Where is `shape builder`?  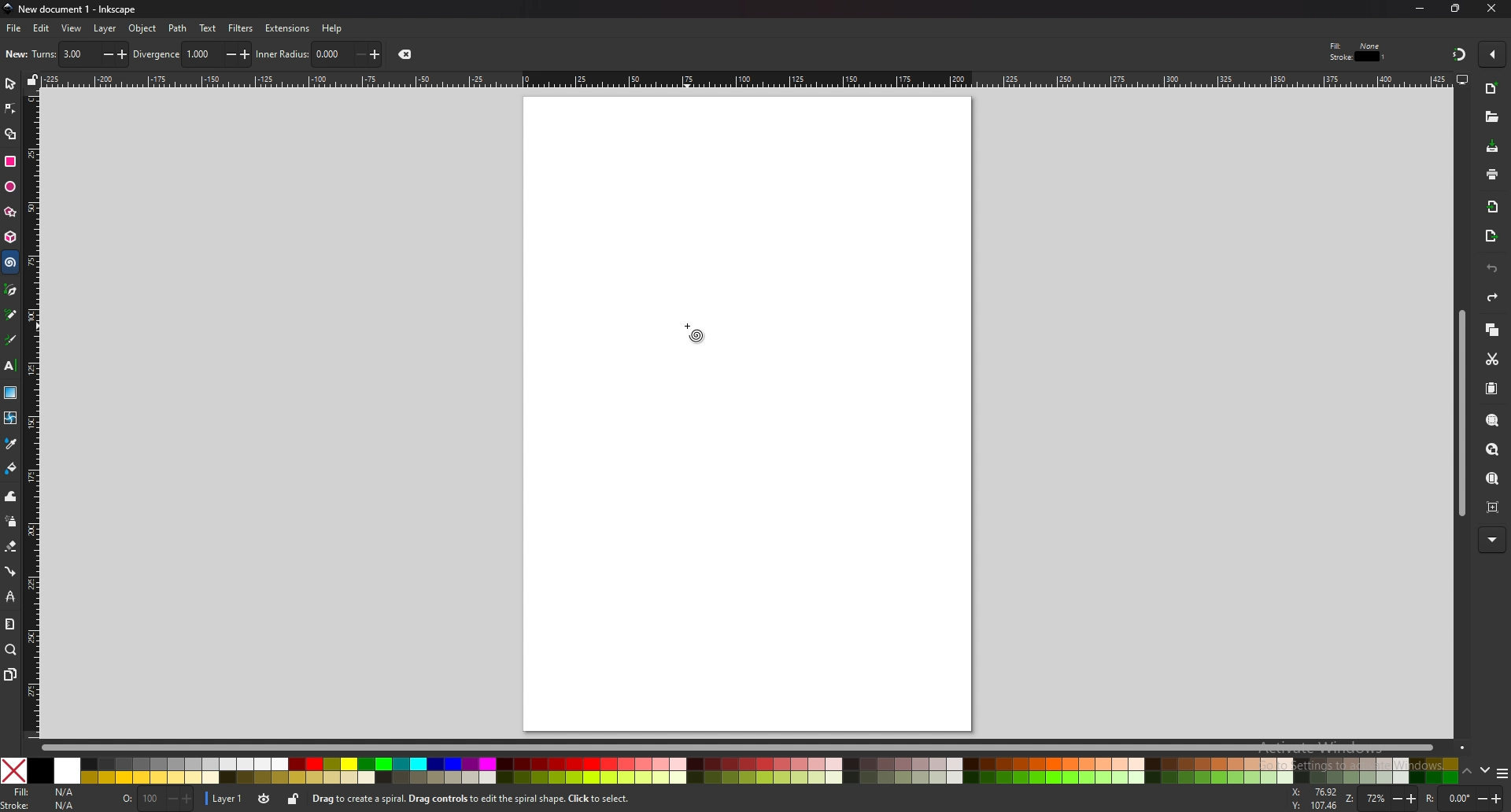
shape builder is located at coordinates (10, 134).